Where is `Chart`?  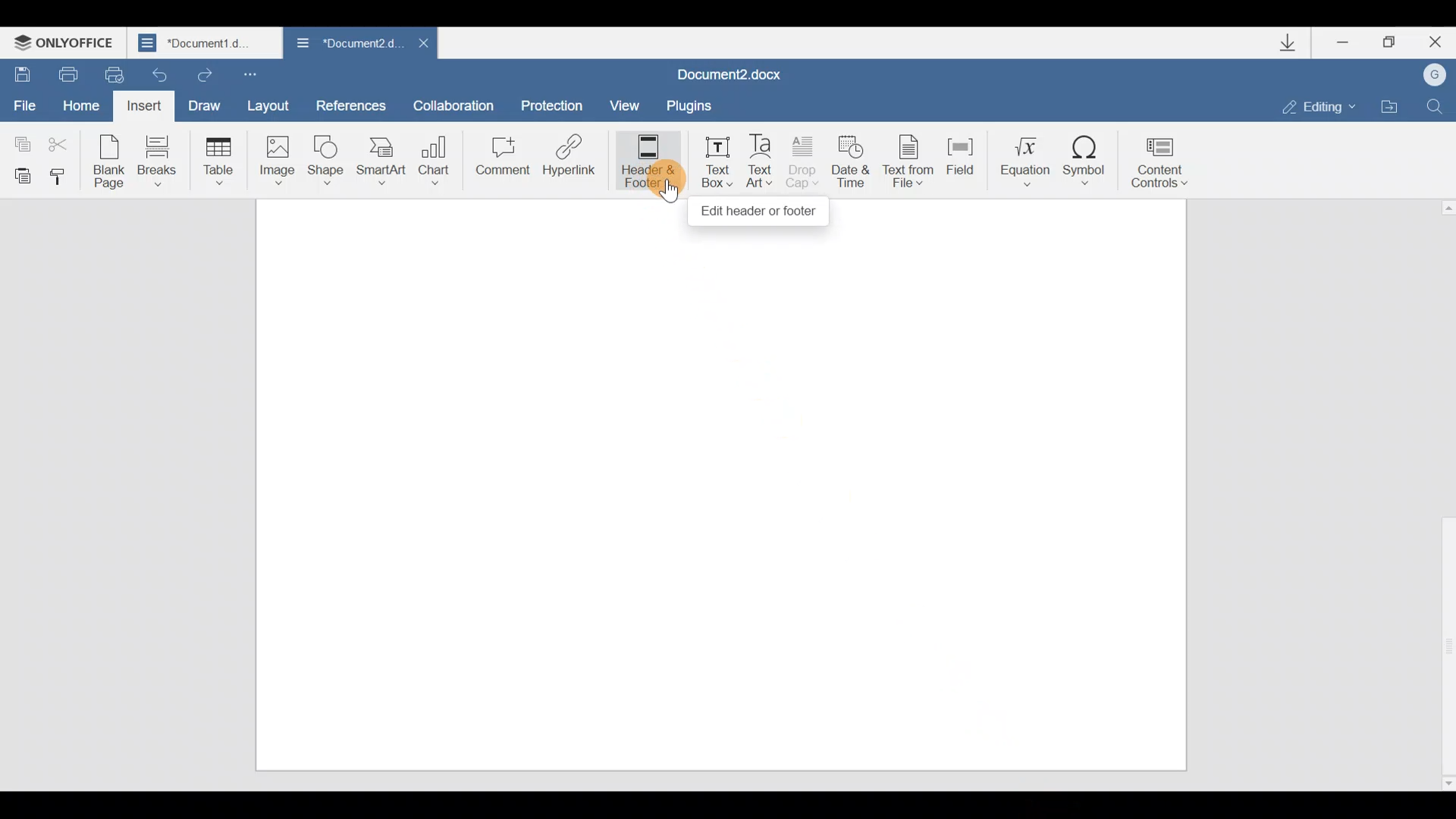 Chart is located at coordinates (437, 155).